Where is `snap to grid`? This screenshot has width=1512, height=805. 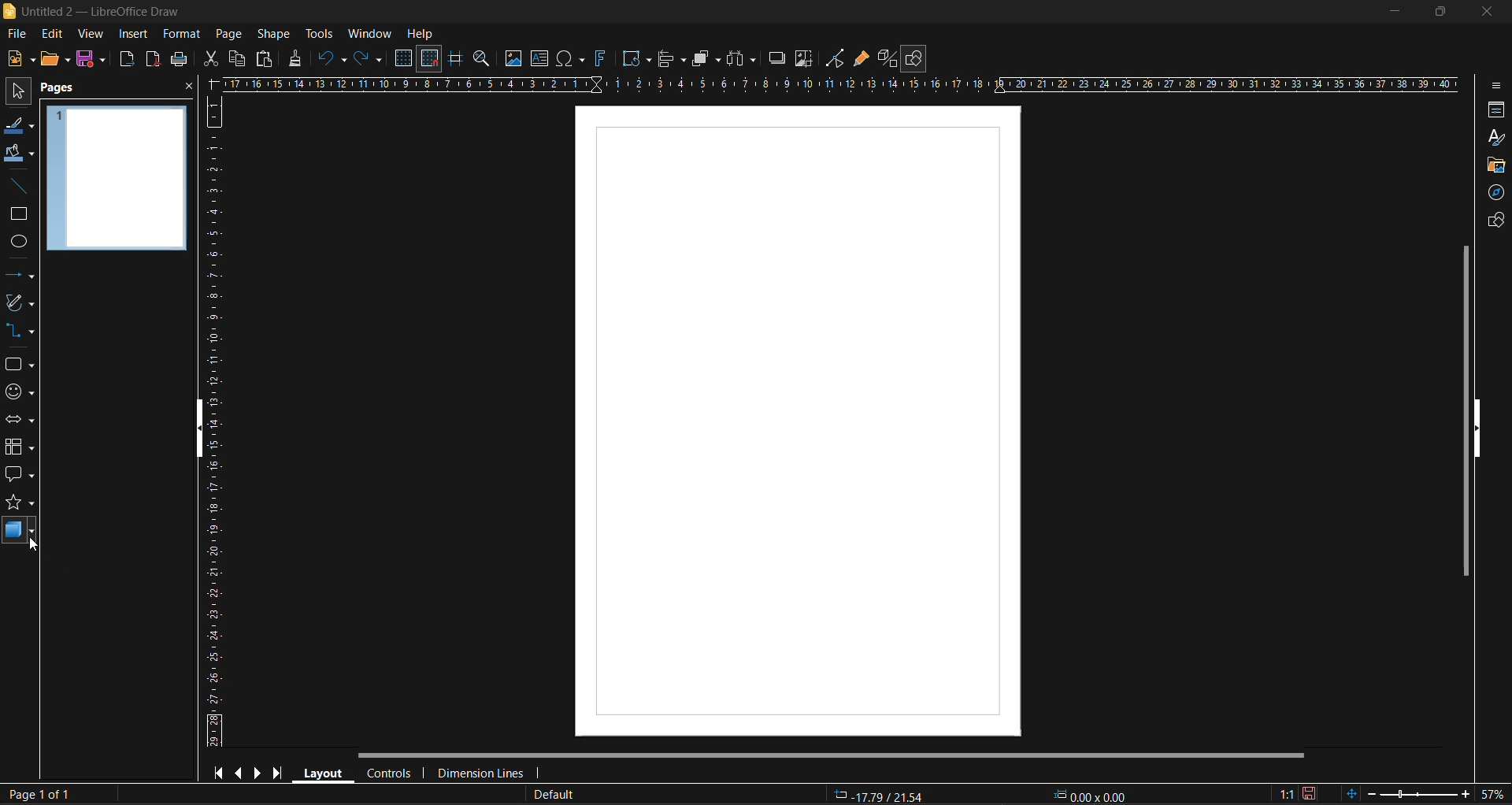
snap to grid is located at coordinates (430, 59).